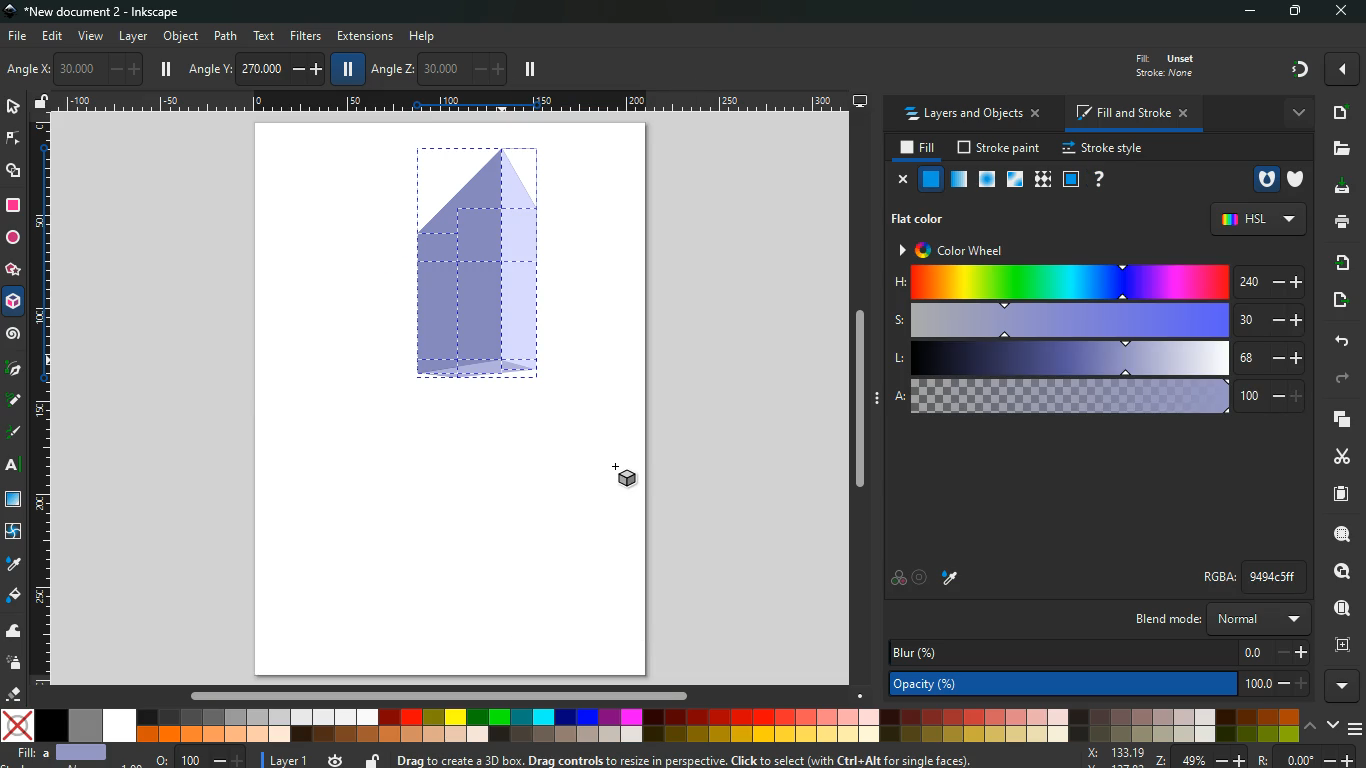 This screenshot has height=768, width=1366. What do you see at coordinates (336, 756) in the screenshot?
I see `time` at bounding box center [336, 756].